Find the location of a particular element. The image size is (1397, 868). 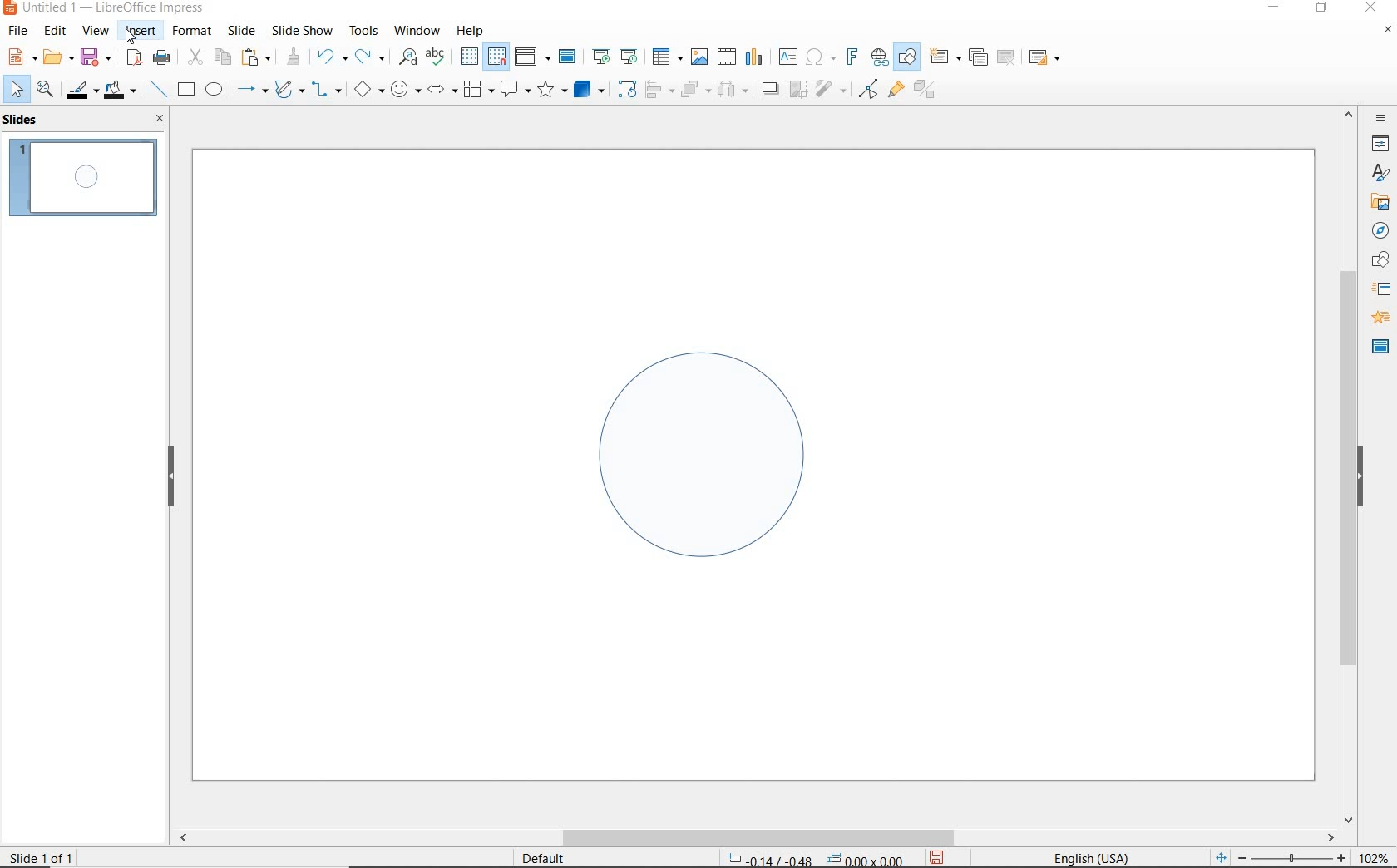

gallery is located at coordinates (1377, 201).